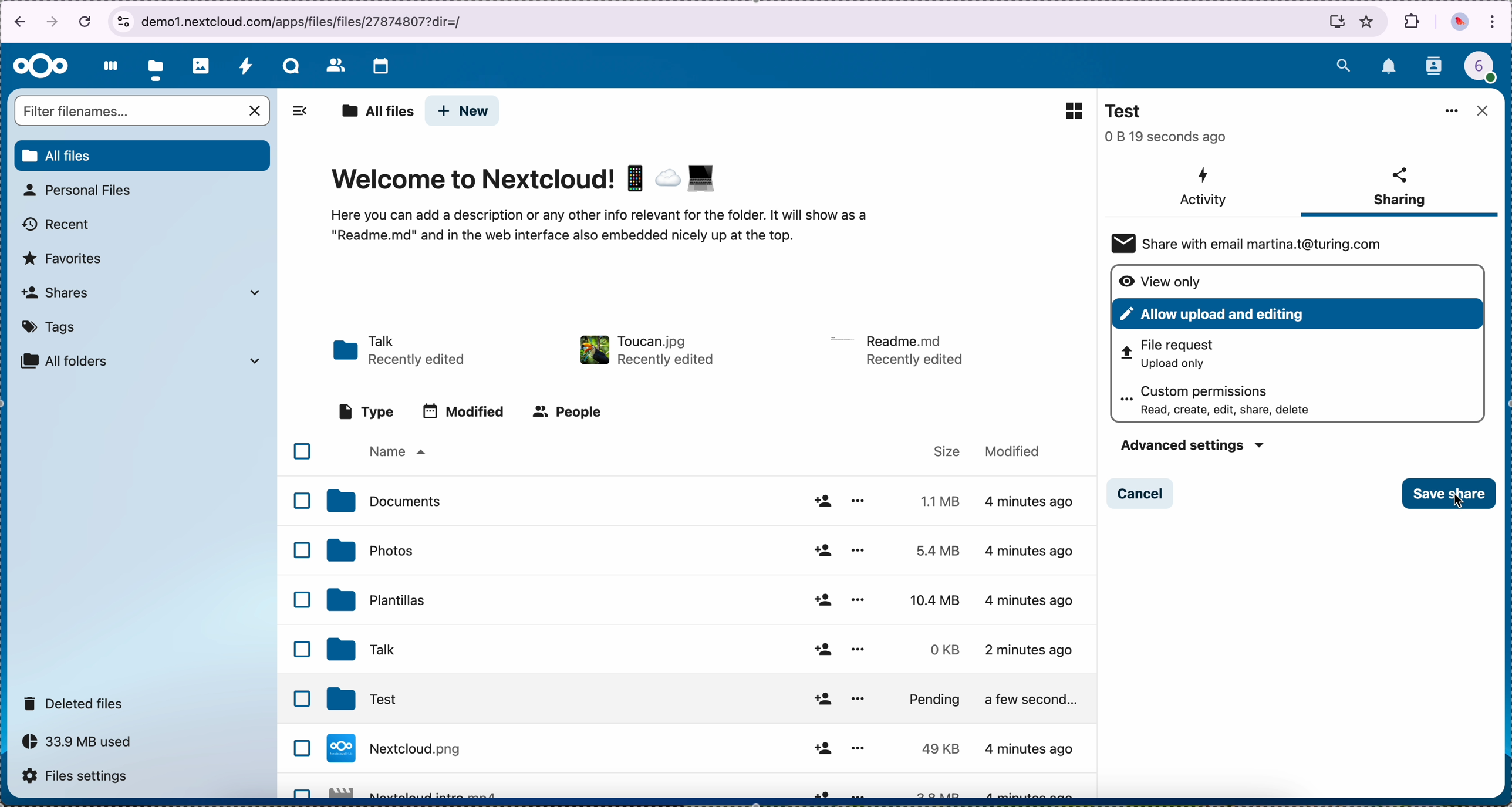 The height and width of the screenshot is (807, 1512). What do you see at coordinates (617, 232) in the screenshot?
I see `here you can add a description...` at bounding box center [617, 232].